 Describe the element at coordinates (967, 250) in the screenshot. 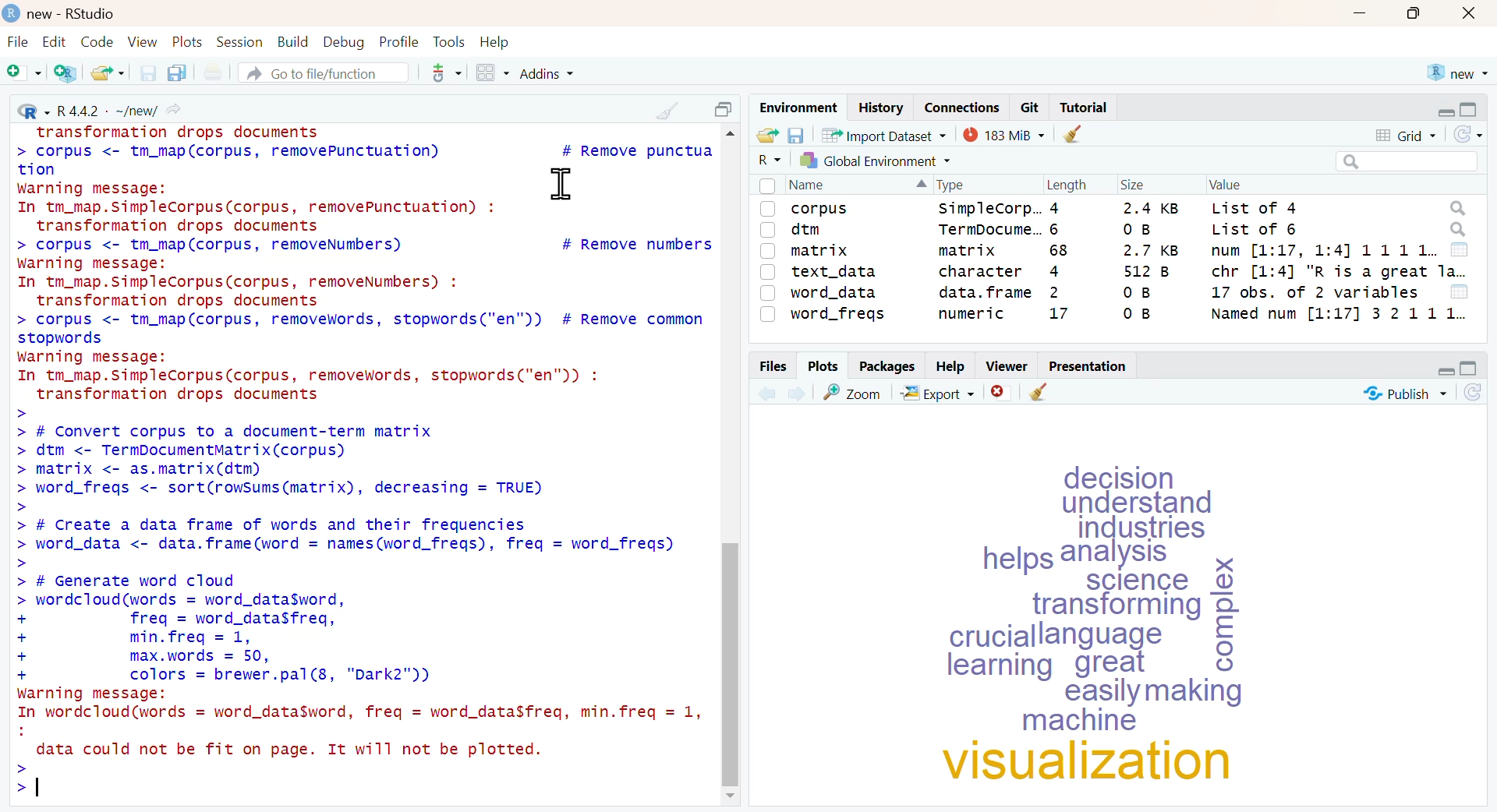

I see `matrix` at that location.